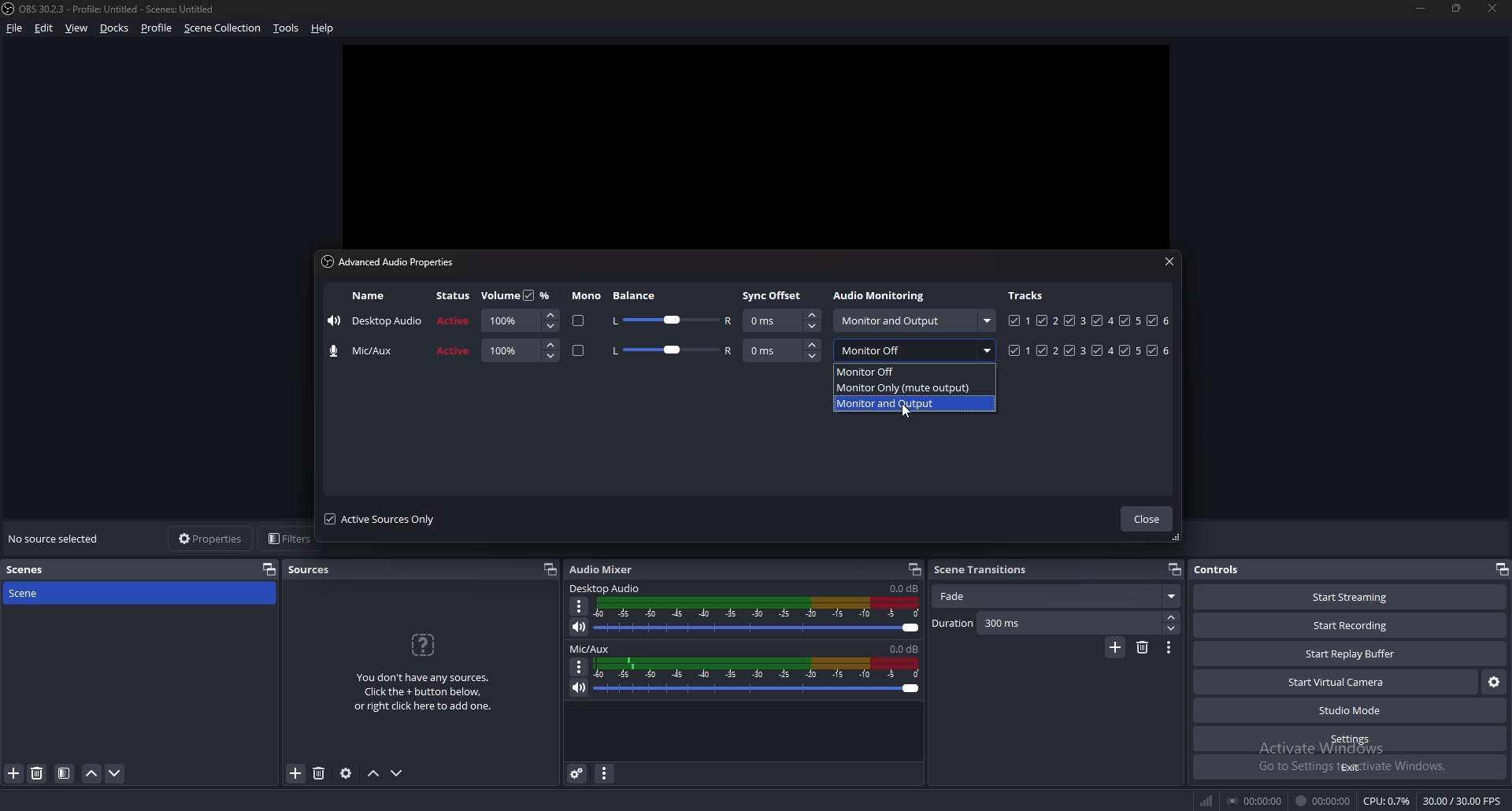 The image size is (1512, 811). I want to click on mono, so click(579, 350).